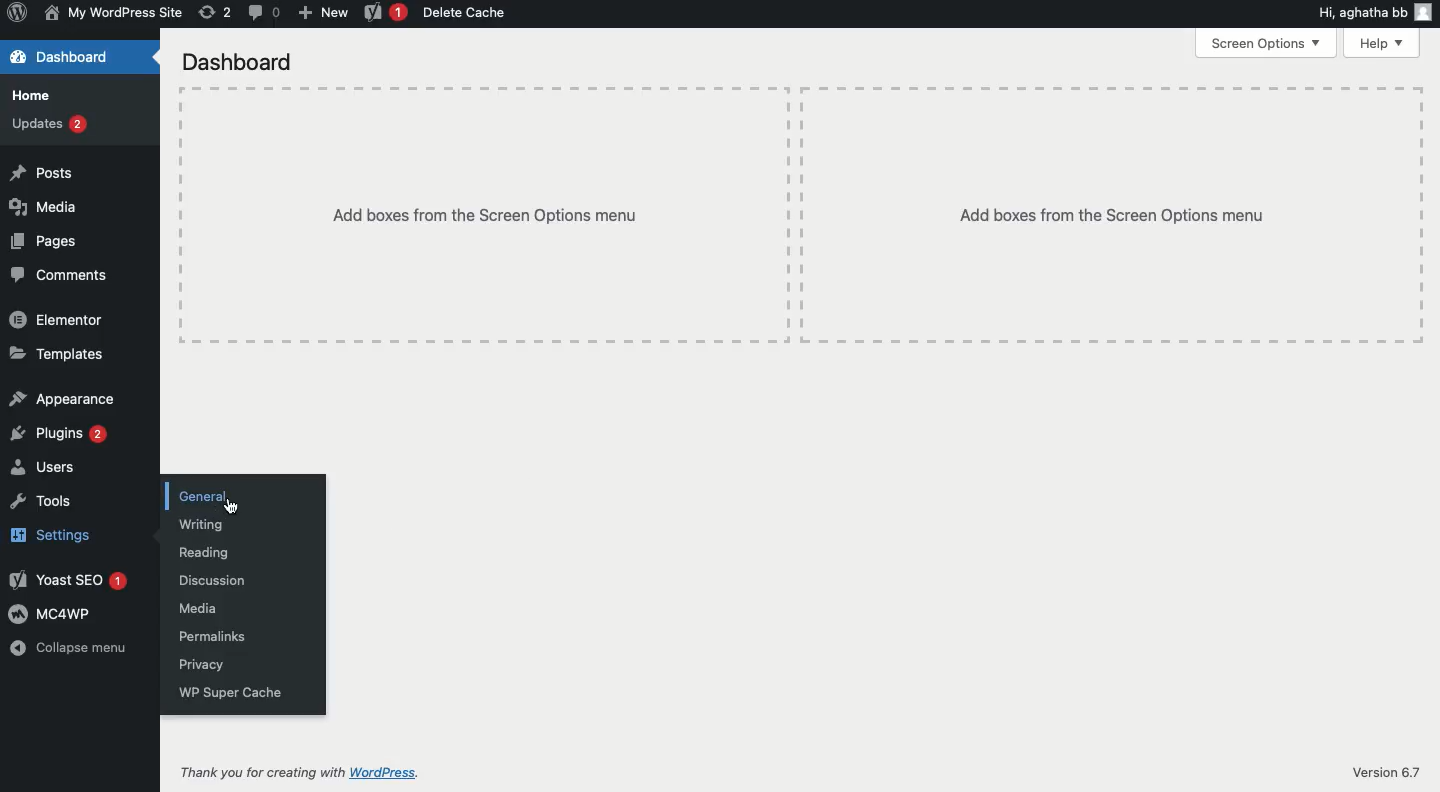  What do you see at coordinates (1389, 770) in the screenshot?
I see `Version 6.7` at bounding box center [1389, 770].